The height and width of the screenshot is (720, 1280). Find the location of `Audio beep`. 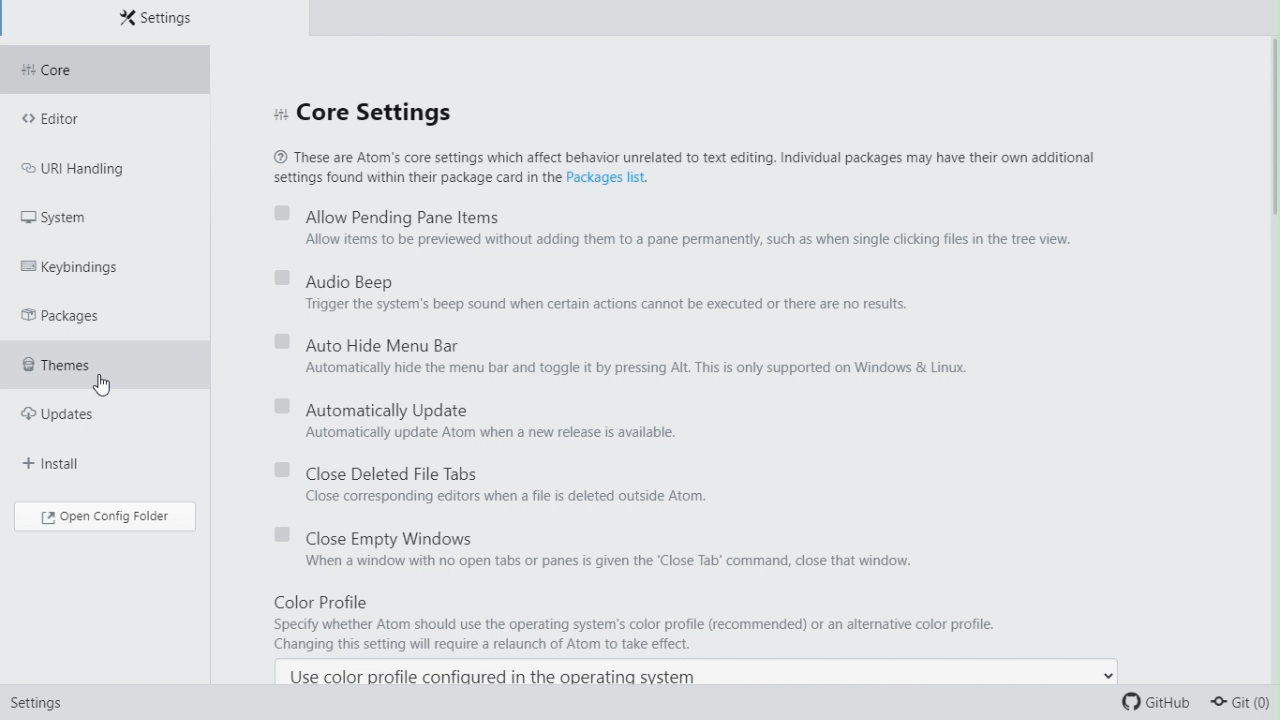

Audio beep is located at coordinates (598, 278).